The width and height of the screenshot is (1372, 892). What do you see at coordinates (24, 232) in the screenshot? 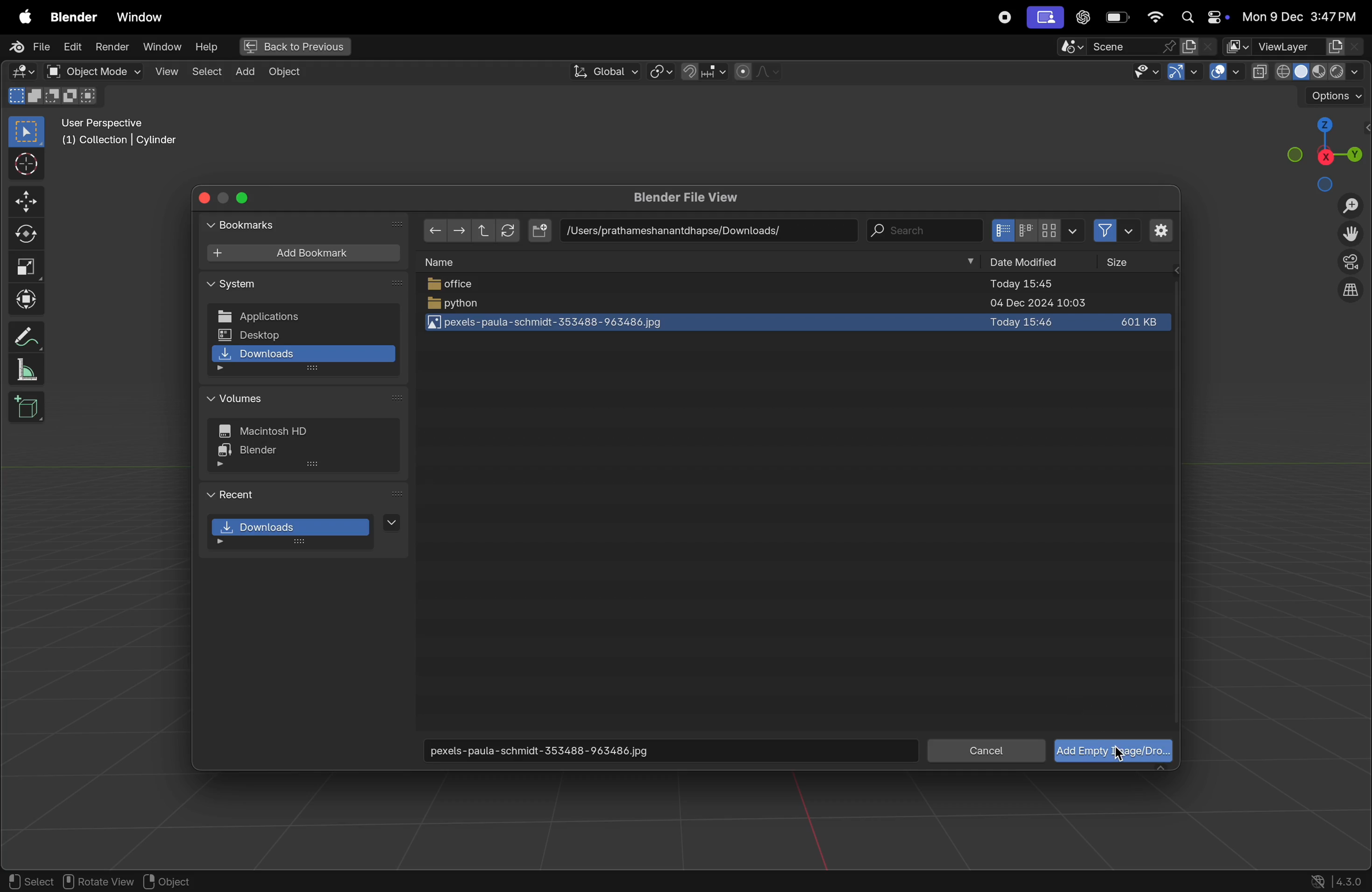
I see `rotate` at bounding box center [24, 232].